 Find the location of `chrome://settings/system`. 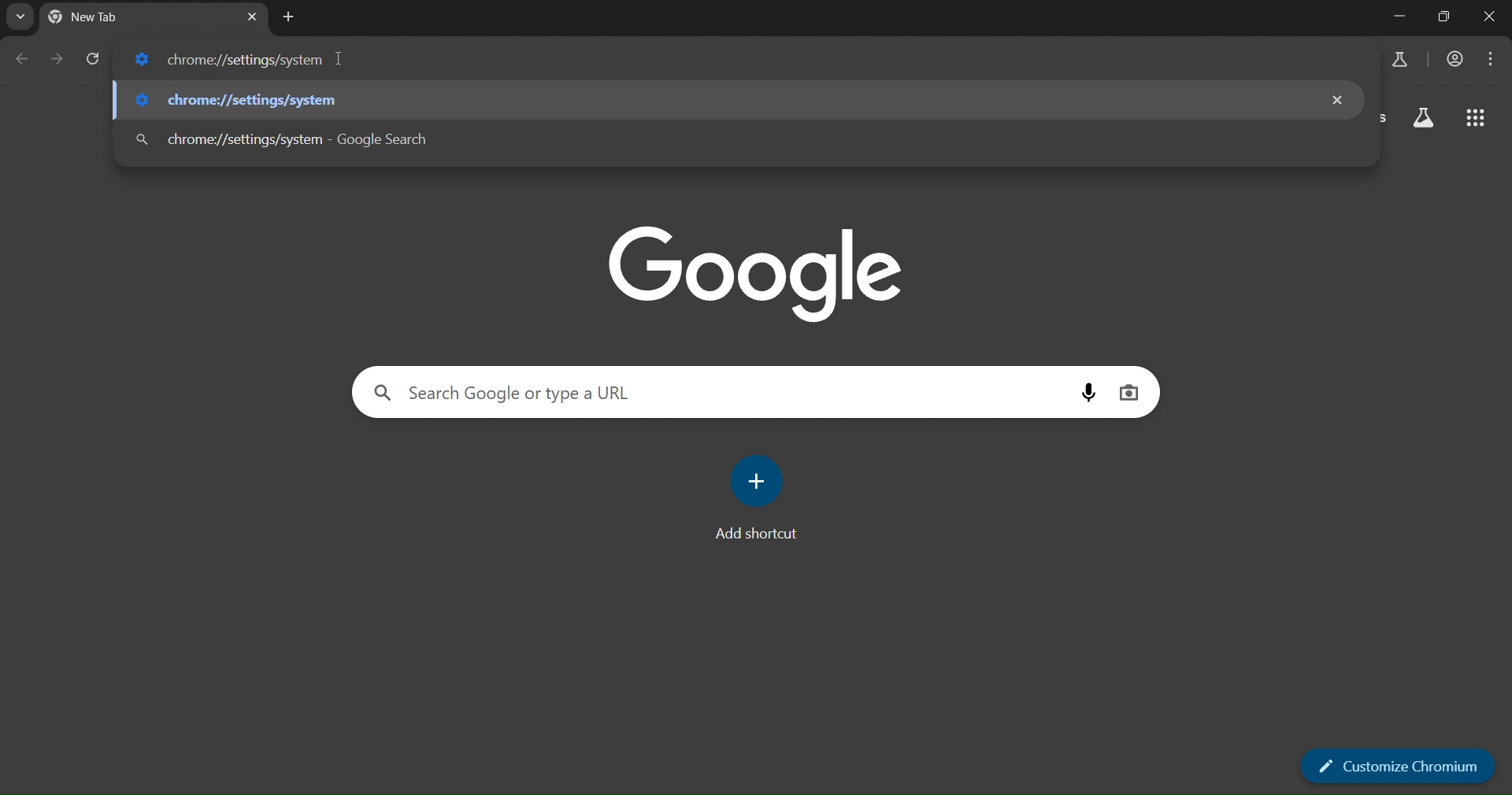

chrome://settings/system is located at coordinates (247, 102).